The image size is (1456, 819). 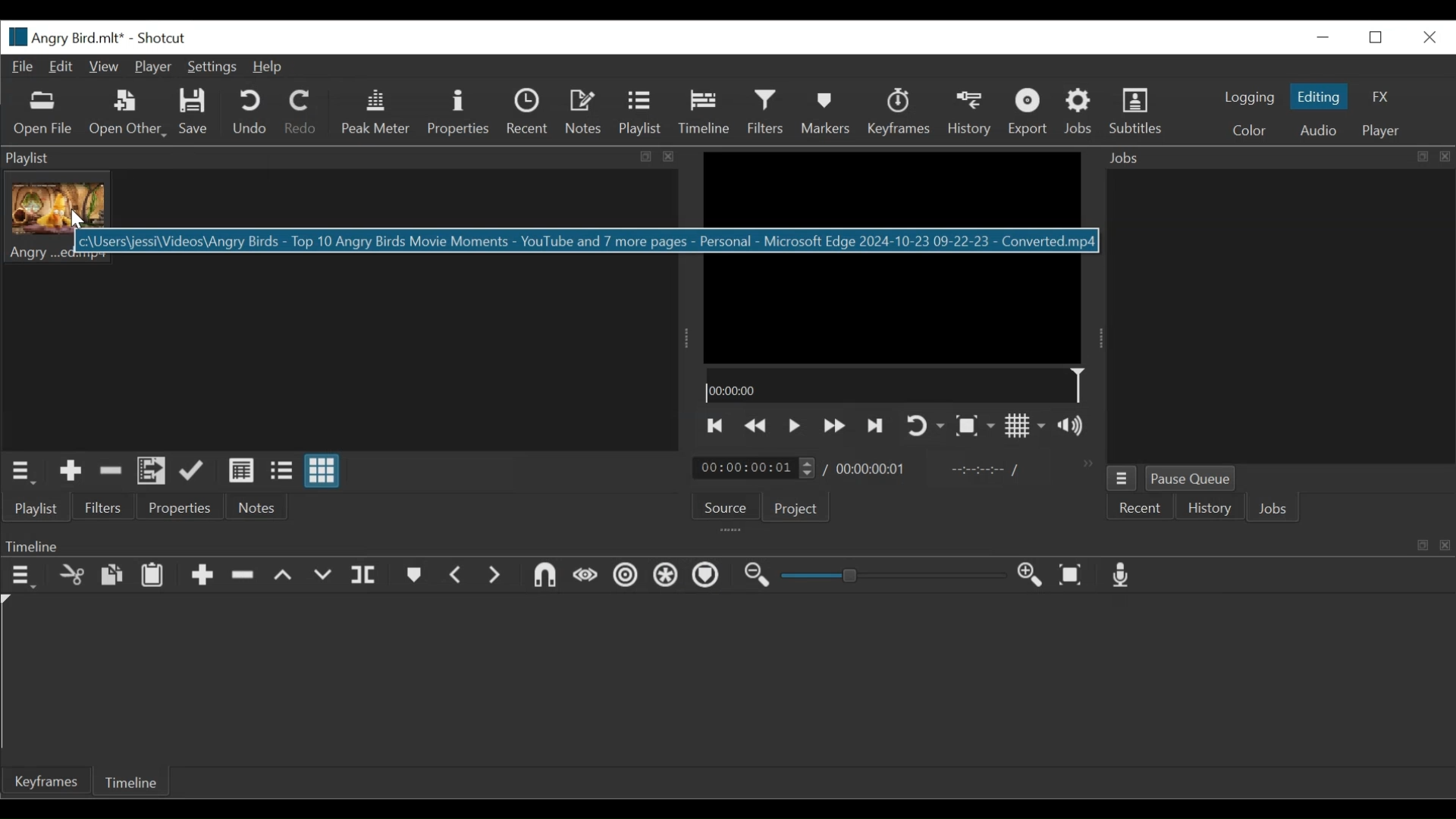 What do you see at coordinates (197, 114) in the screenshot?
I see `Save` at bounding box center [197, 114].